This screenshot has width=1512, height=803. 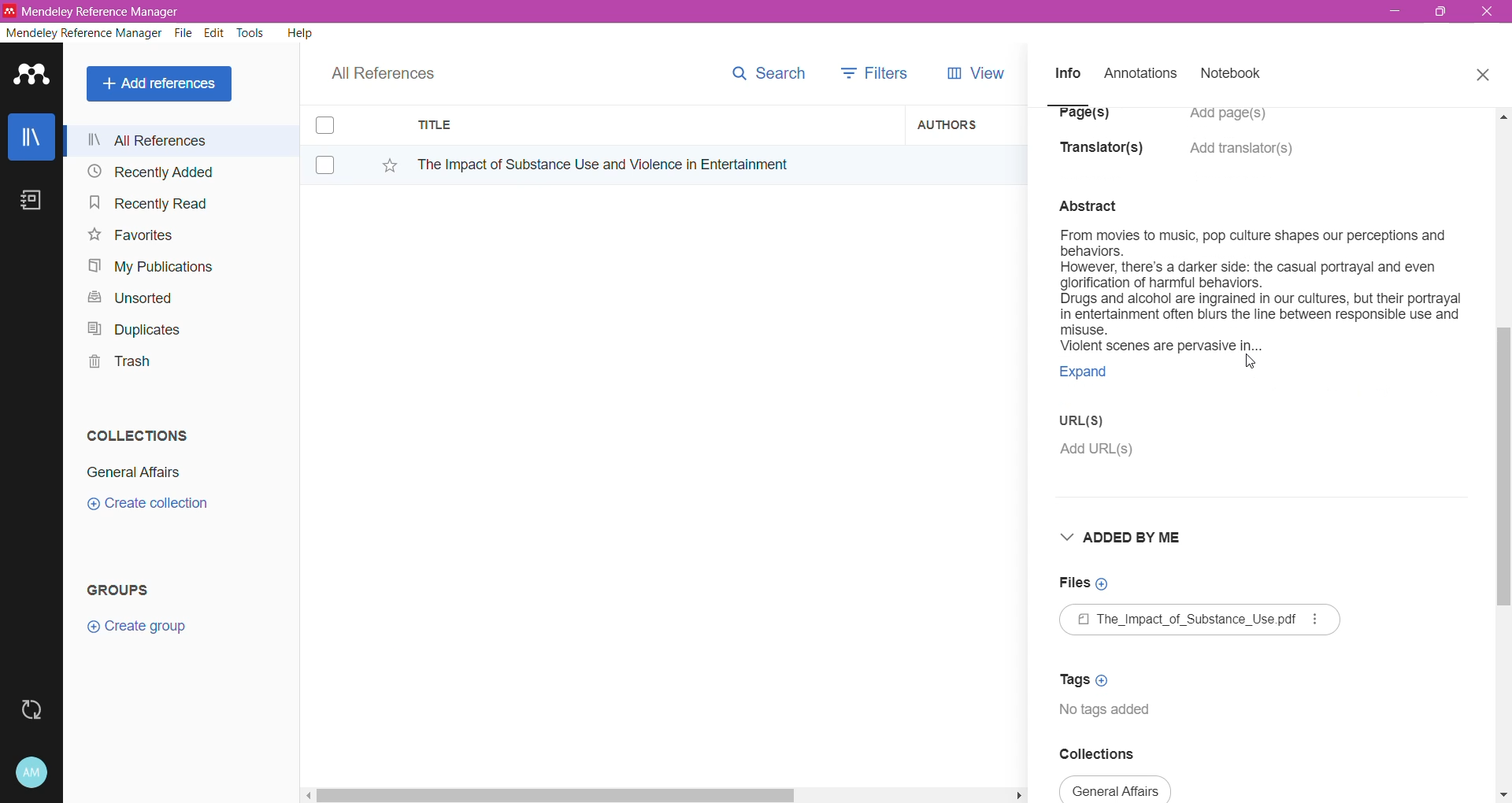 What do you see at coordinates (1139, 74) in the screenshot?
I see `Annotations` at bounding box center [1139, 74].